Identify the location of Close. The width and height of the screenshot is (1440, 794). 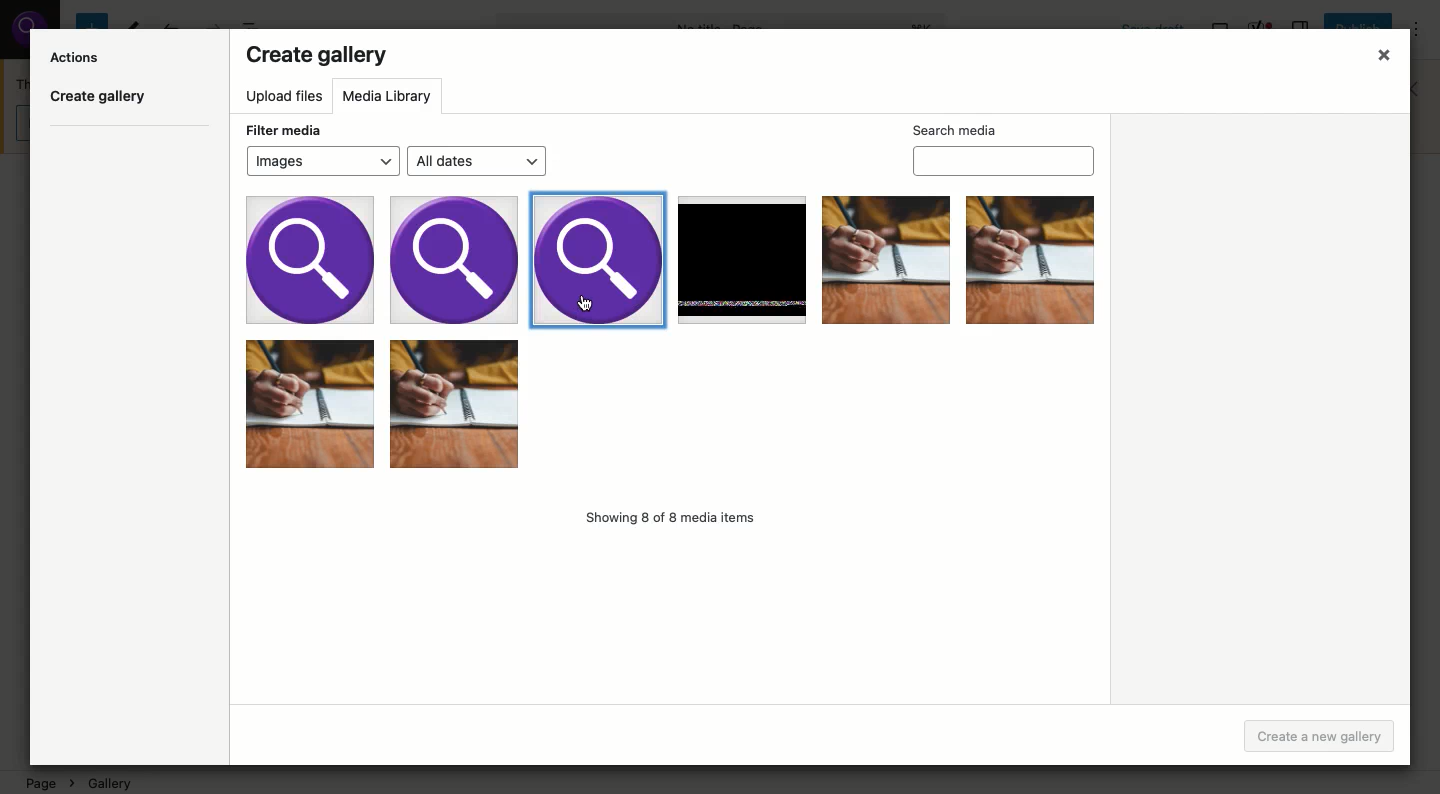
(1378, 58).